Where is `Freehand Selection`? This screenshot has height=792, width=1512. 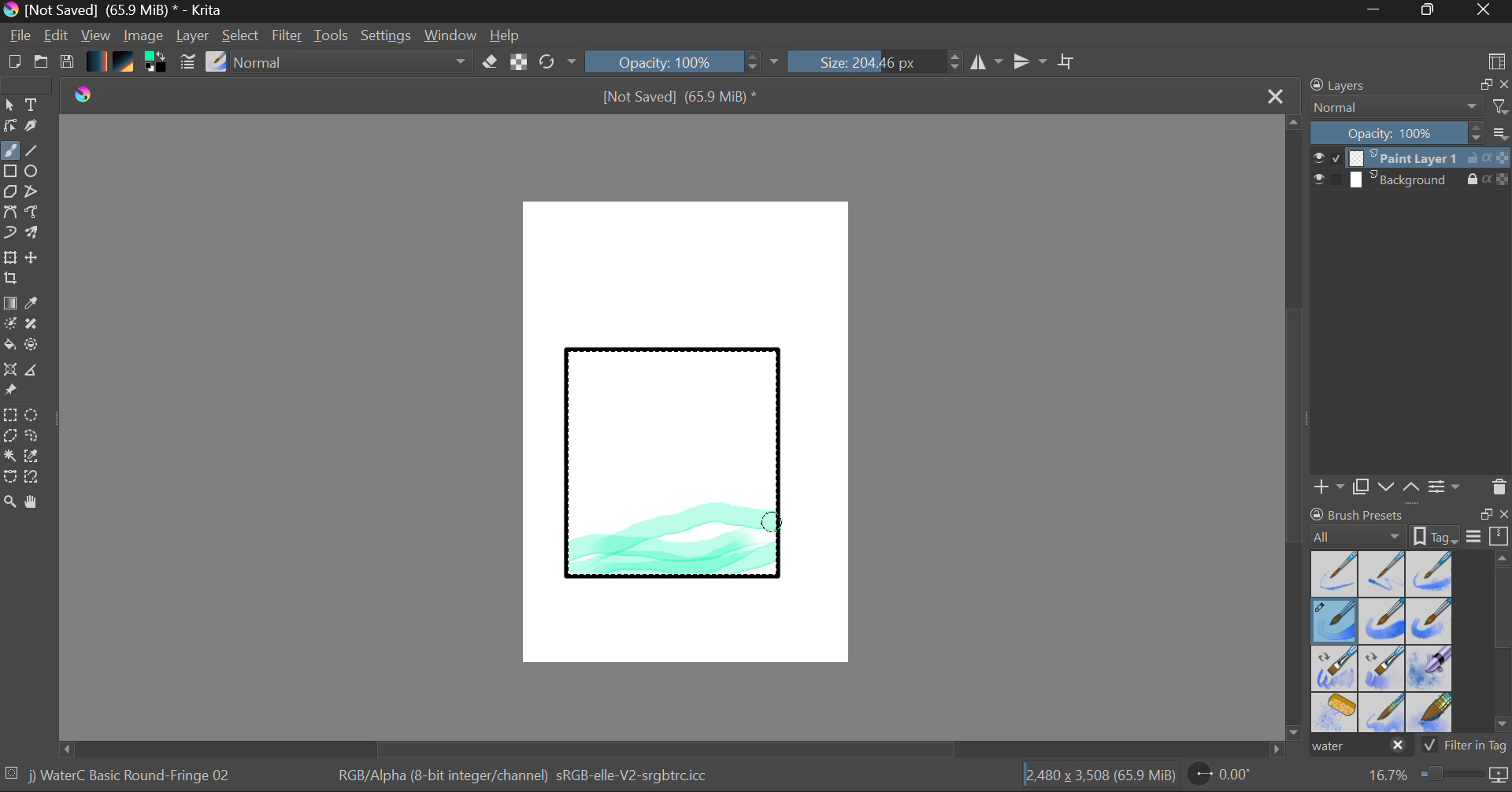 Freehand Selection is located at coordinates (32, 438).